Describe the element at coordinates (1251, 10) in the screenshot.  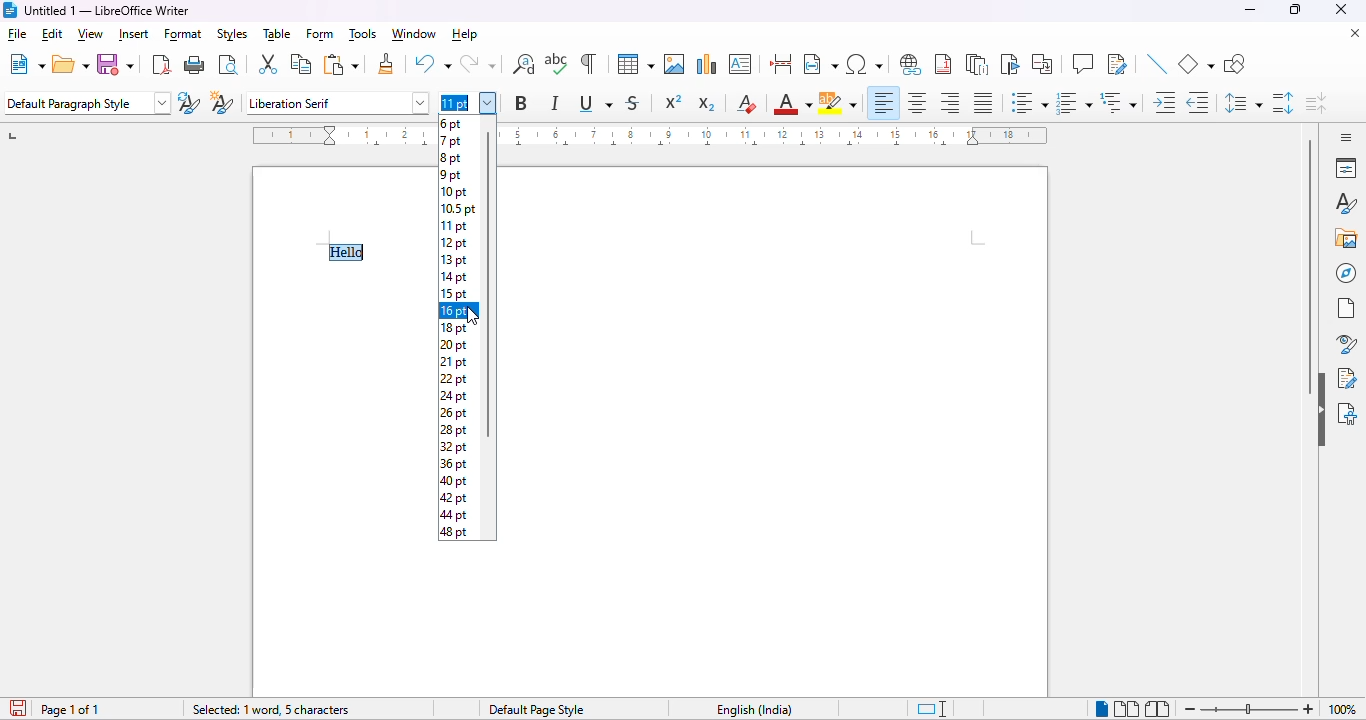
I see `minimize` at that location.